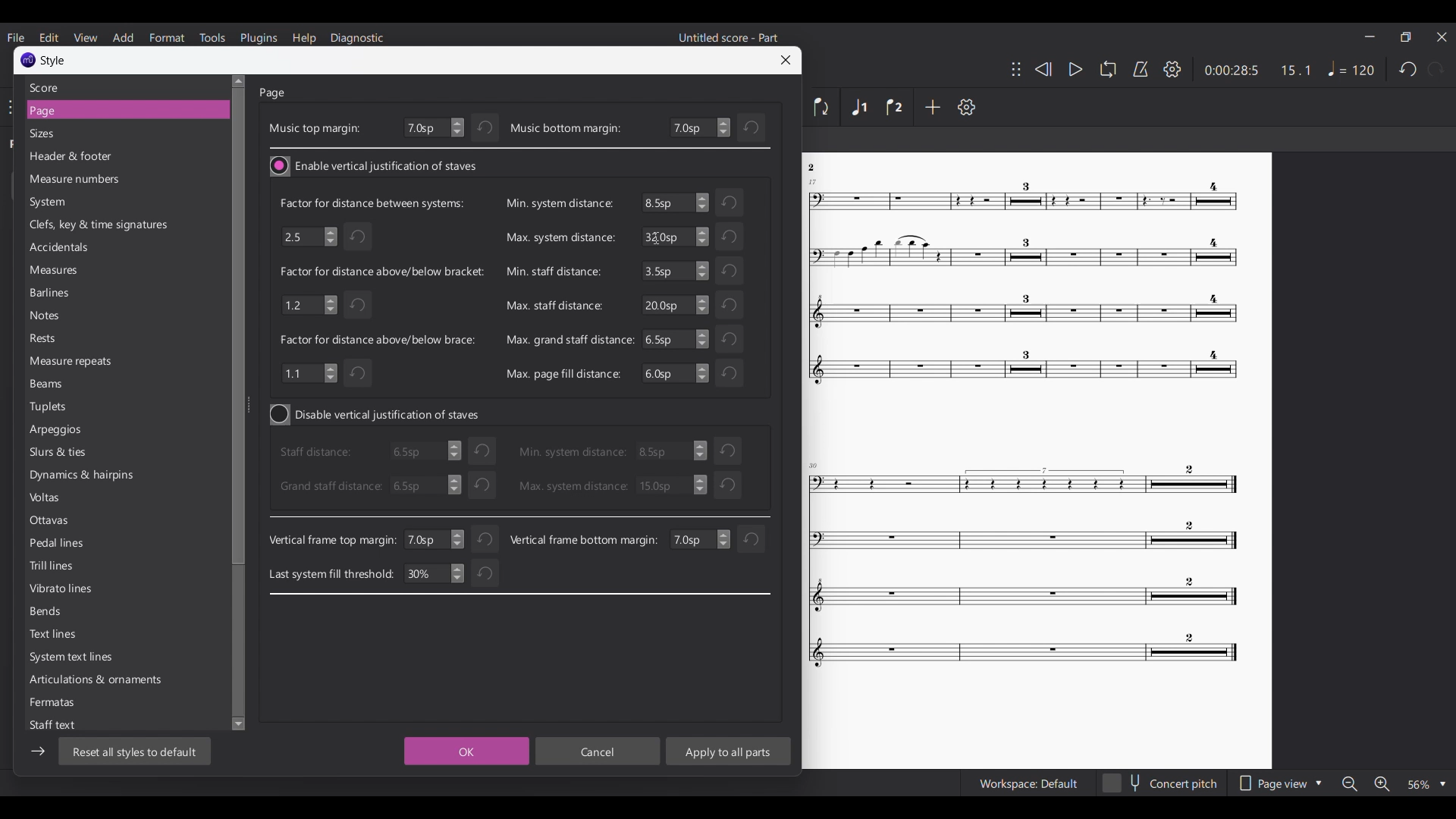 The width and height of the screenshot is (1456, 819). I want to click on Reset to default, so click(134, 751).